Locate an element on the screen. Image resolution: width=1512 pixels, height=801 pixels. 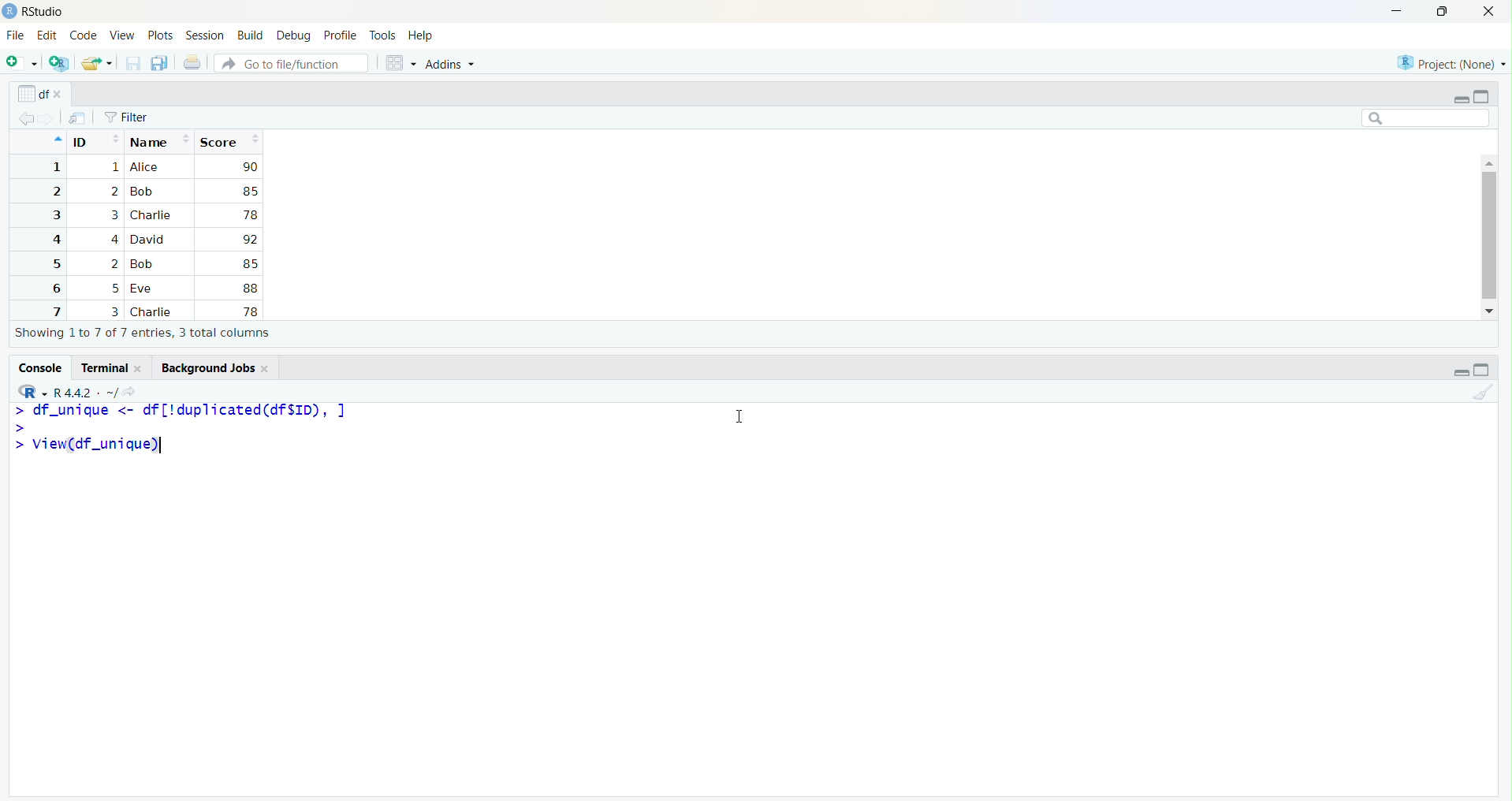
2 is located at coordinates (54, 192).